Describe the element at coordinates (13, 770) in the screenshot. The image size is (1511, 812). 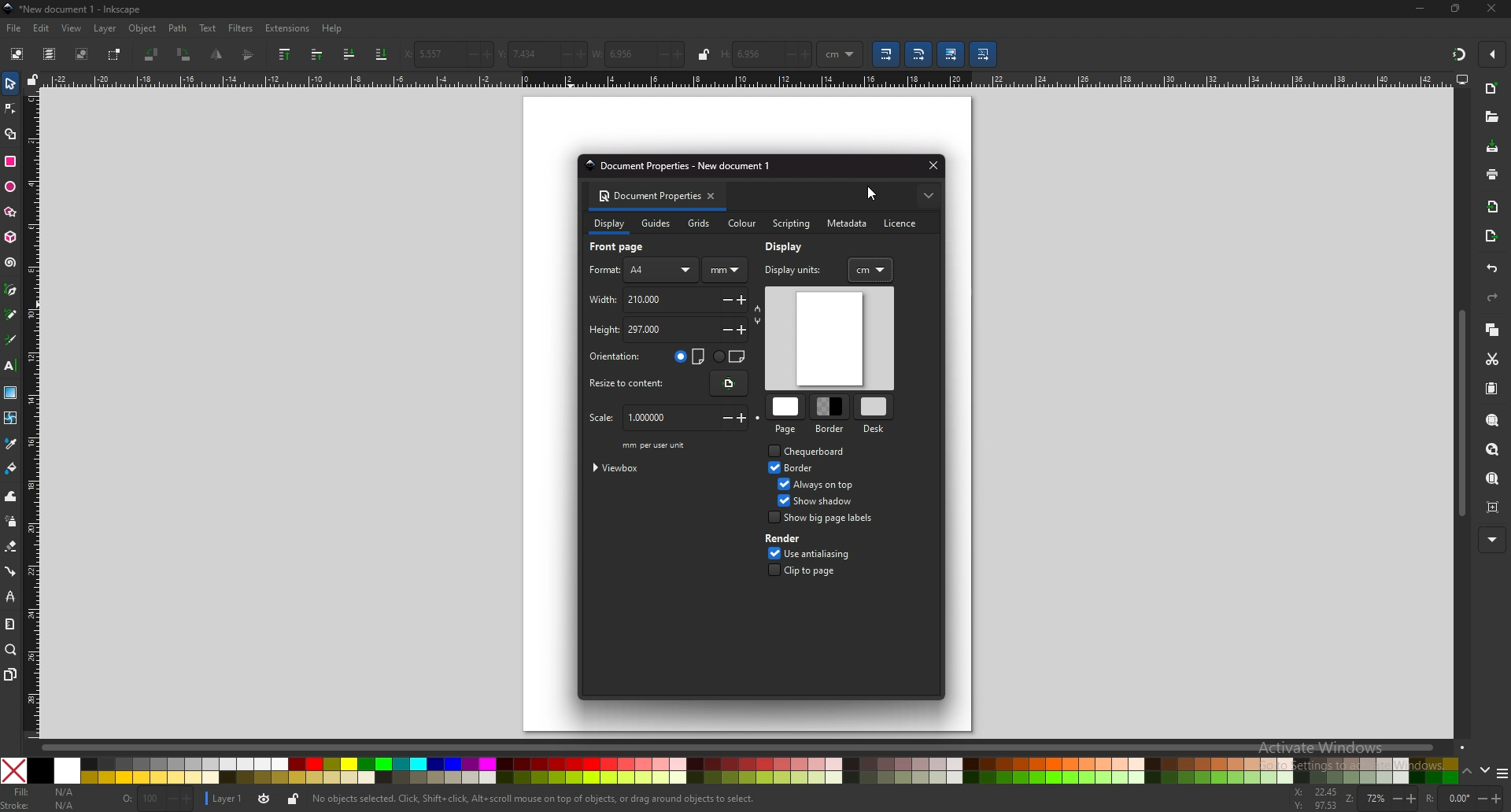
I see `Close` at that location.